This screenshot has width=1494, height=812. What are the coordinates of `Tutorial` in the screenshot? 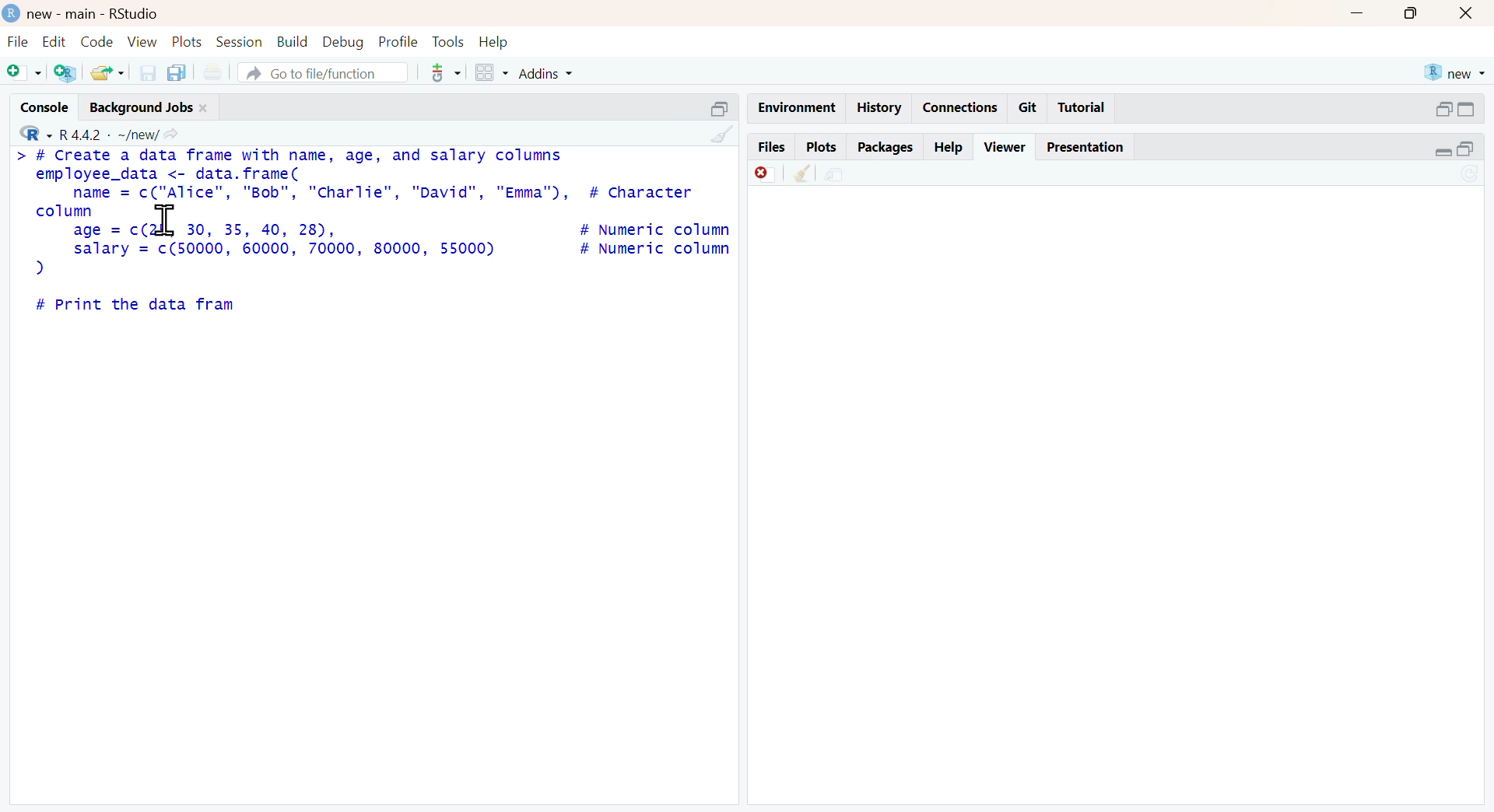 It's located at (1086, 107).